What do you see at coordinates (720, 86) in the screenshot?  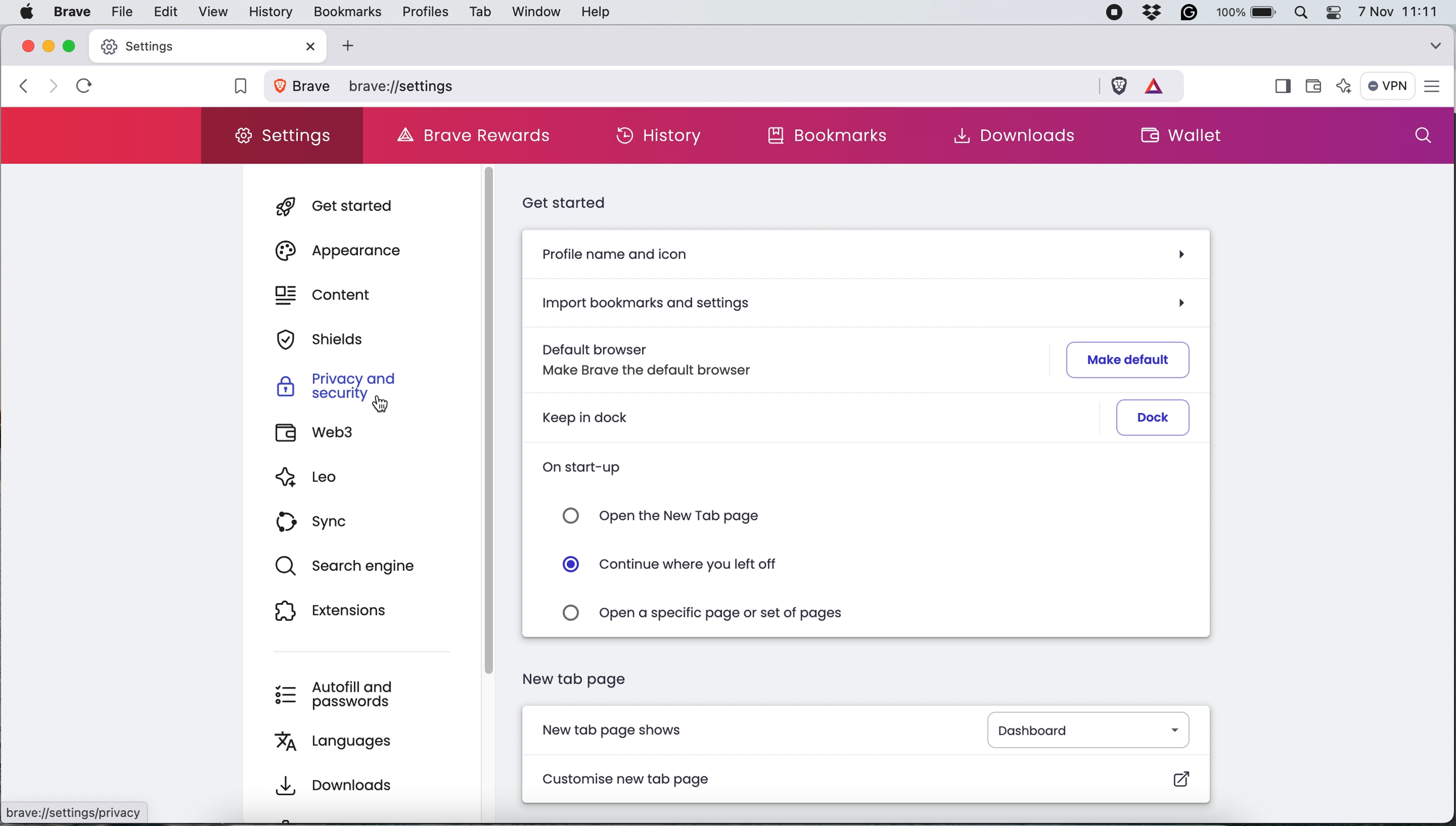 I see `brave settings` at bounding box center [720, 86].